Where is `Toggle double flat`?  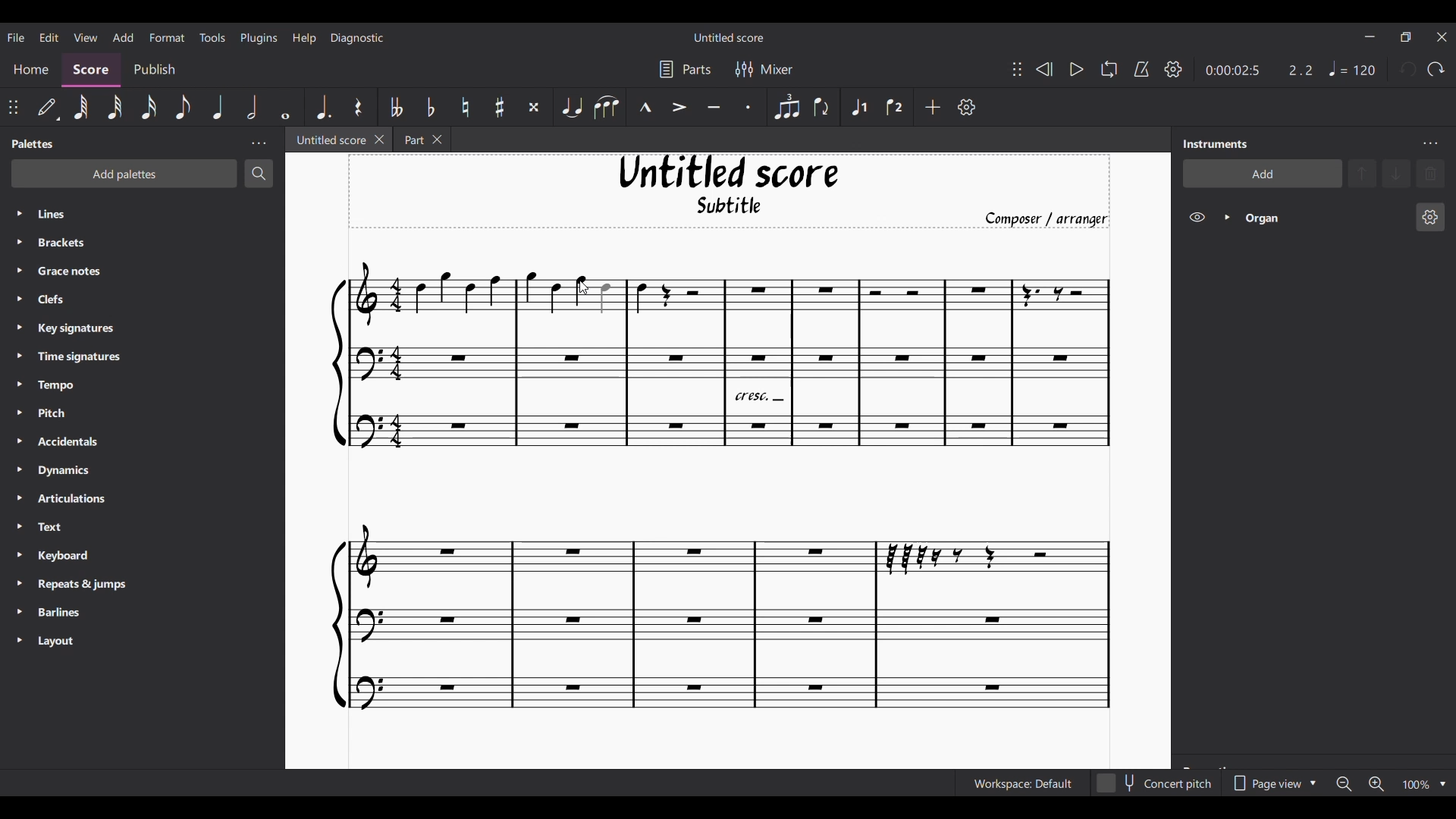 Toggle double flat is located at coordinates (395, 107).